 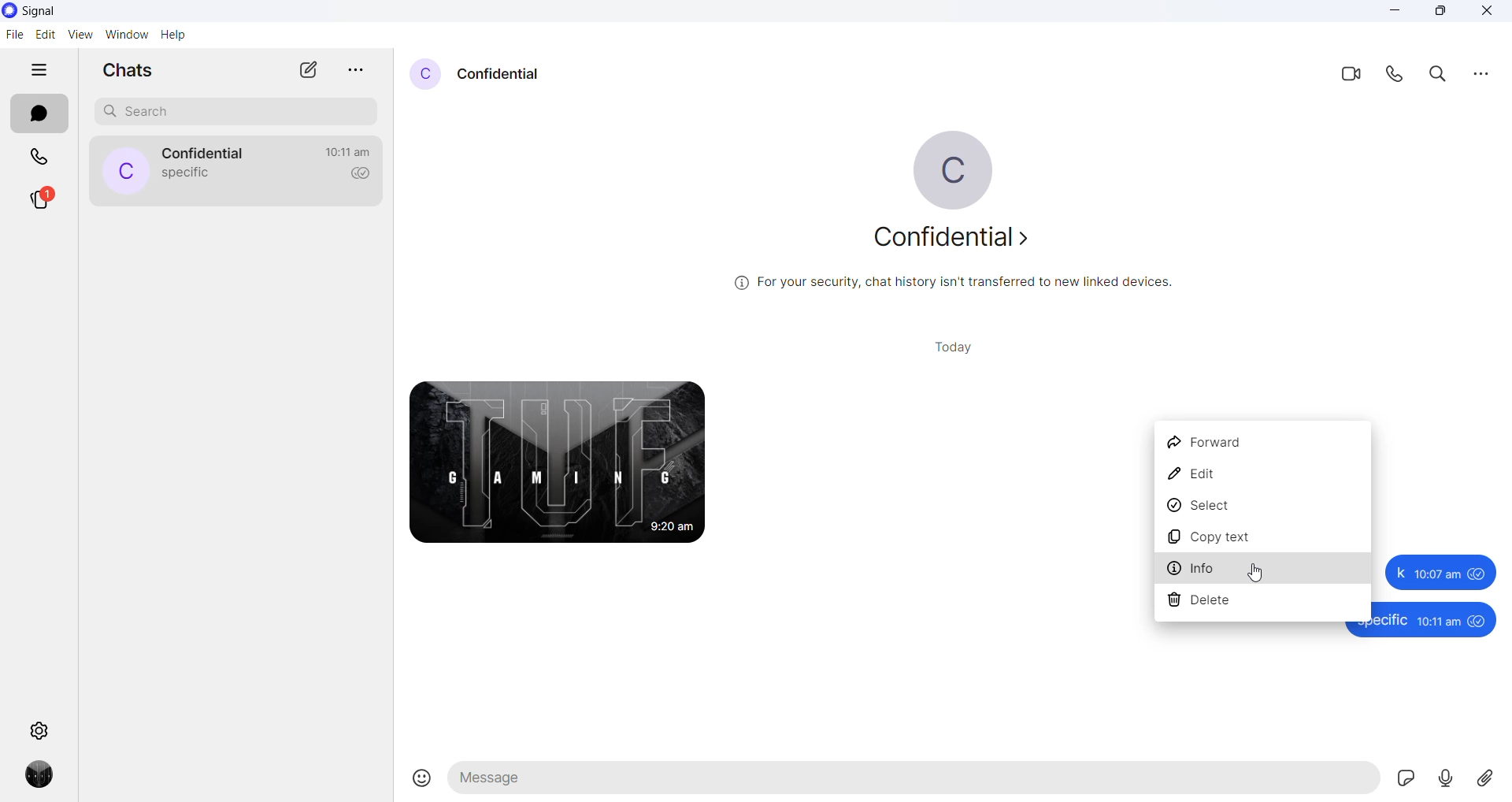 I want to click on seen, so click(x=1479, y=622).